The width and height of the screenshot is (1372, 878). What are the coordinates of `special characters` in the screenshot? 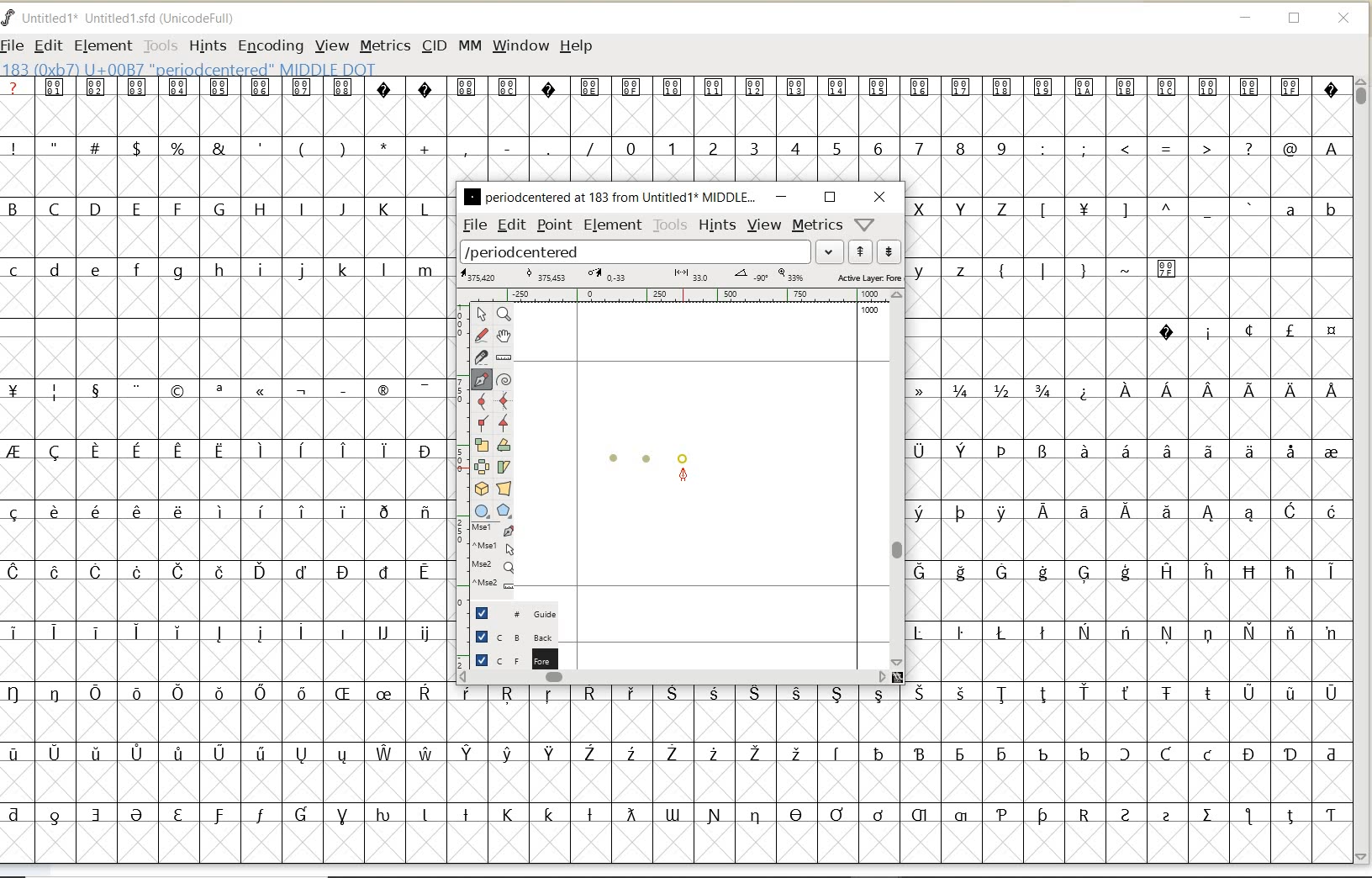 It's located at (1108, 276).